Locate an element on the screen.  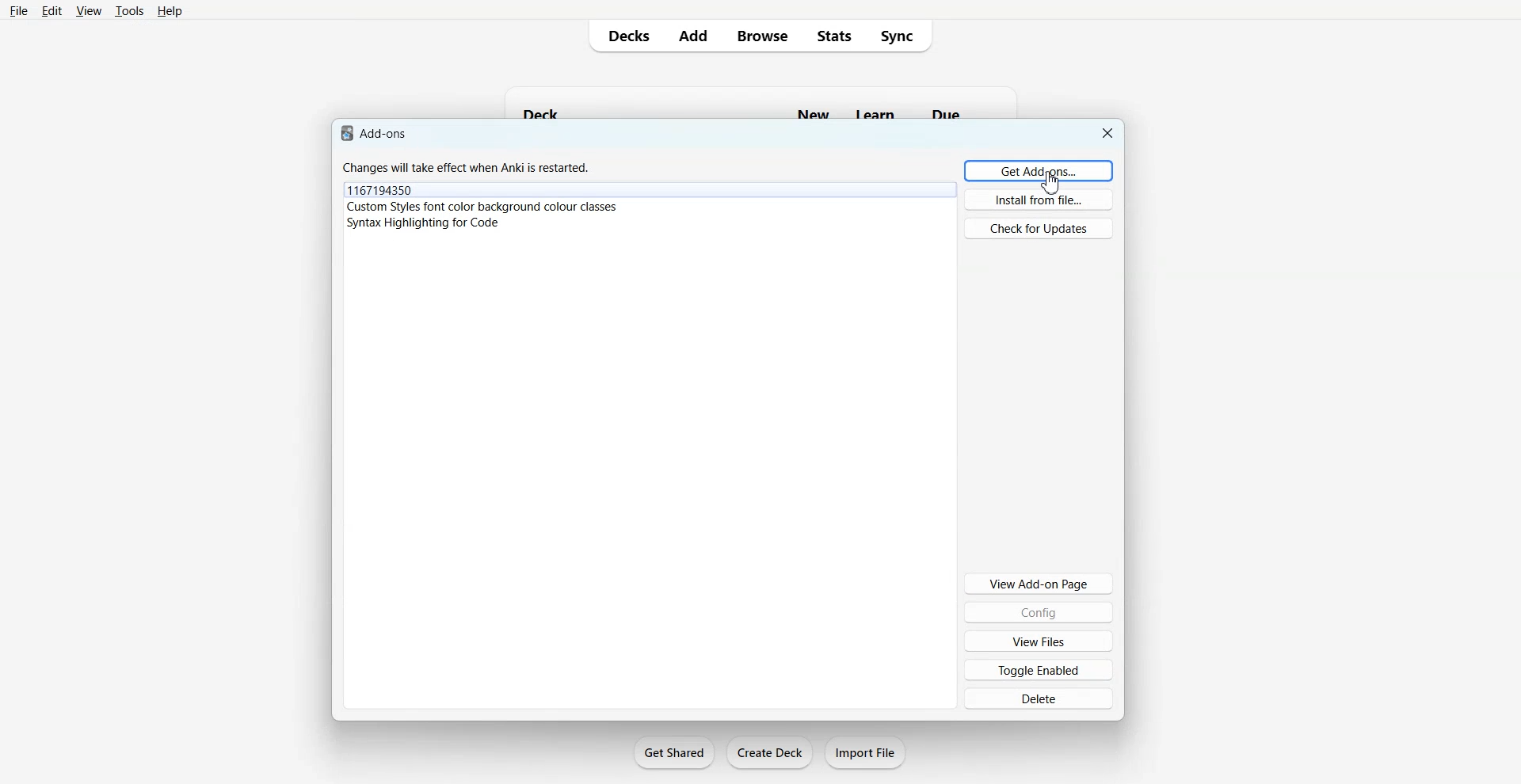
Install from file is located at coordinates (1040, 200).